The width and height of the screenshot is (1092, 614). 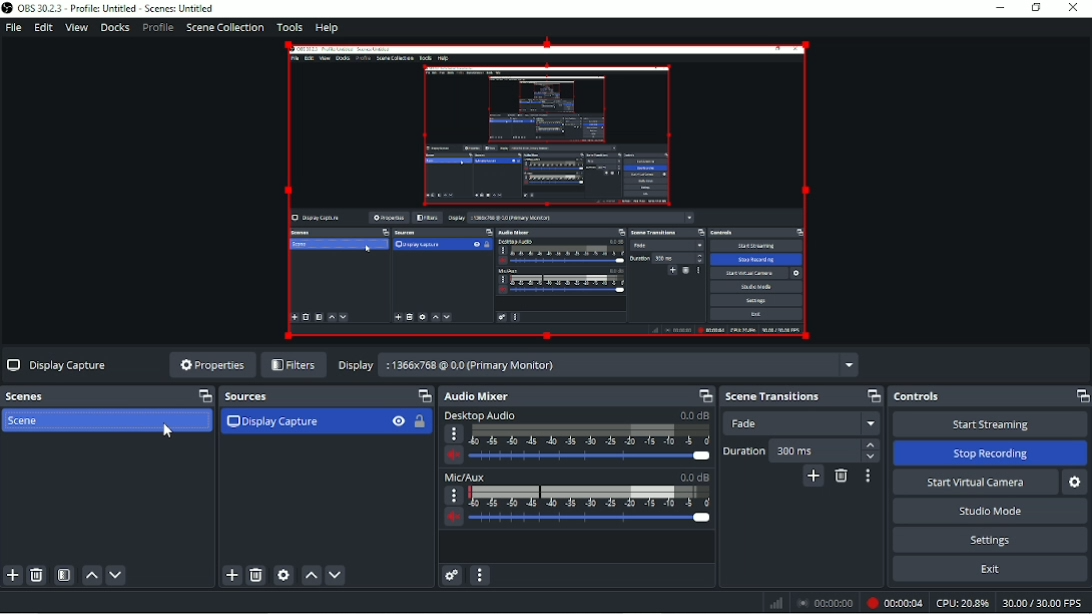 I want to click on Maximize, so click(x=422, y=396).